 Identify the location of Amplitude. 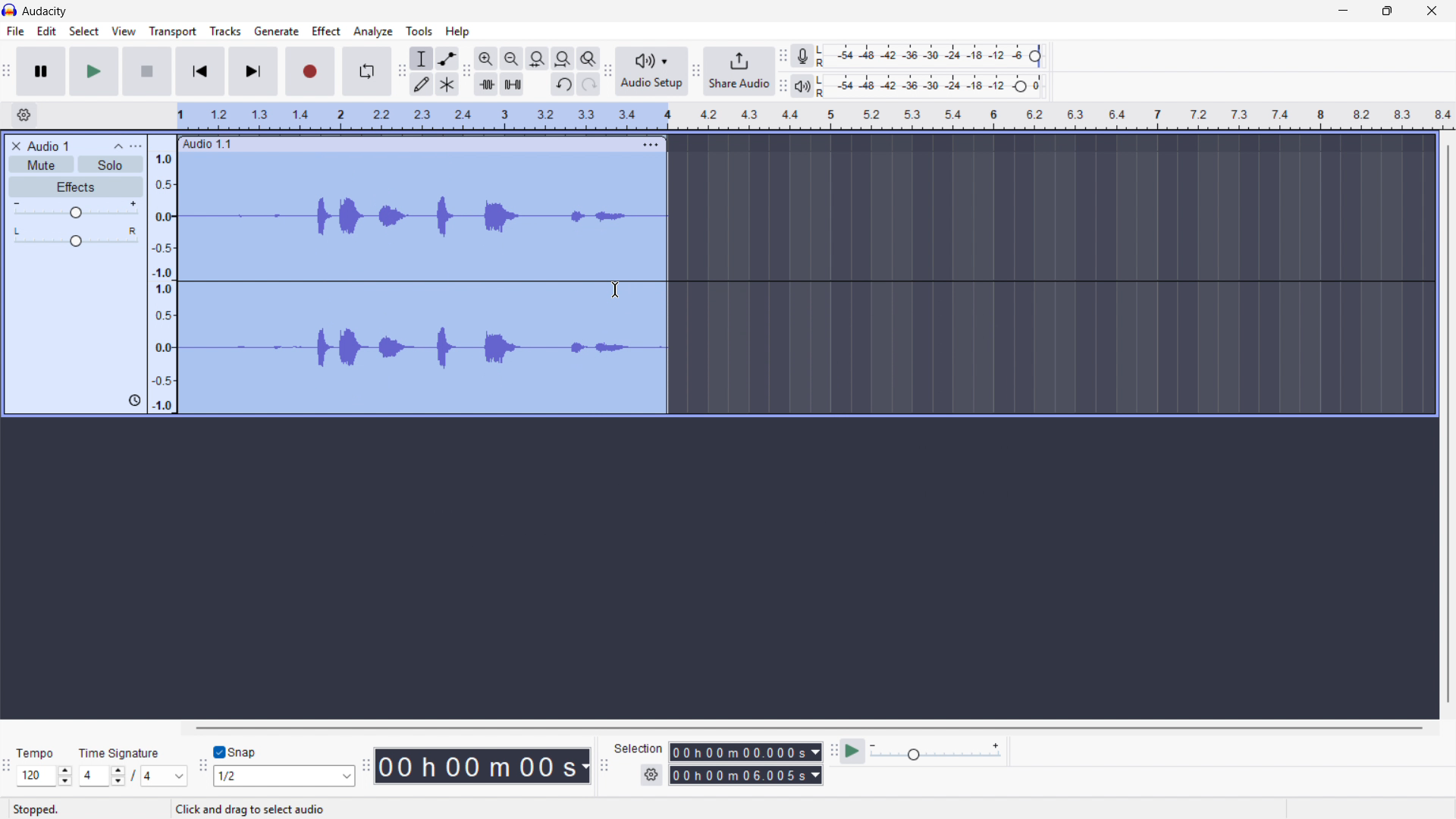
(162, 275).